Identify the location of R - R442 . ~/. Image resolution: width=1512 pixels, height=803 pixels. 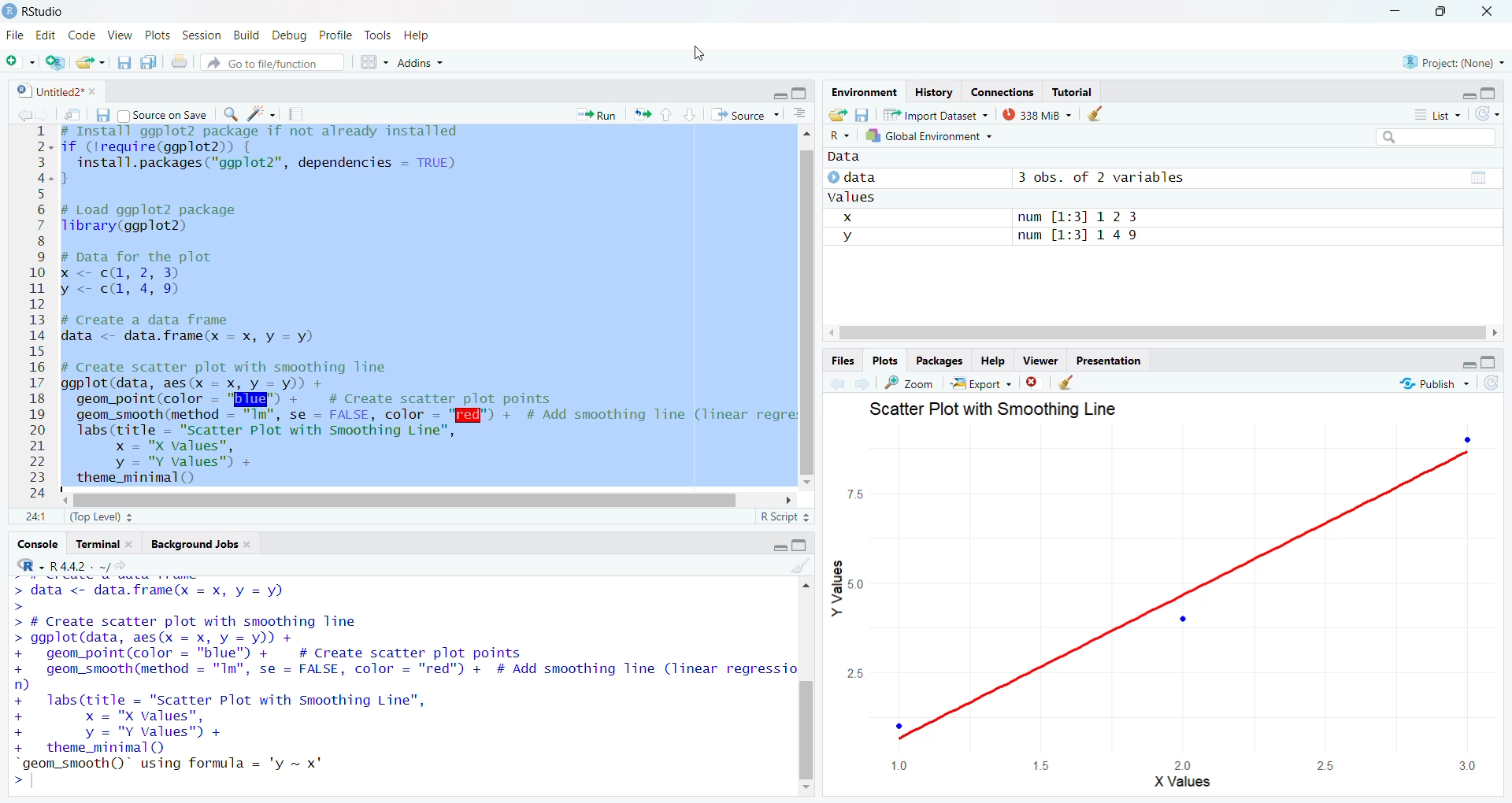
(83, 568).